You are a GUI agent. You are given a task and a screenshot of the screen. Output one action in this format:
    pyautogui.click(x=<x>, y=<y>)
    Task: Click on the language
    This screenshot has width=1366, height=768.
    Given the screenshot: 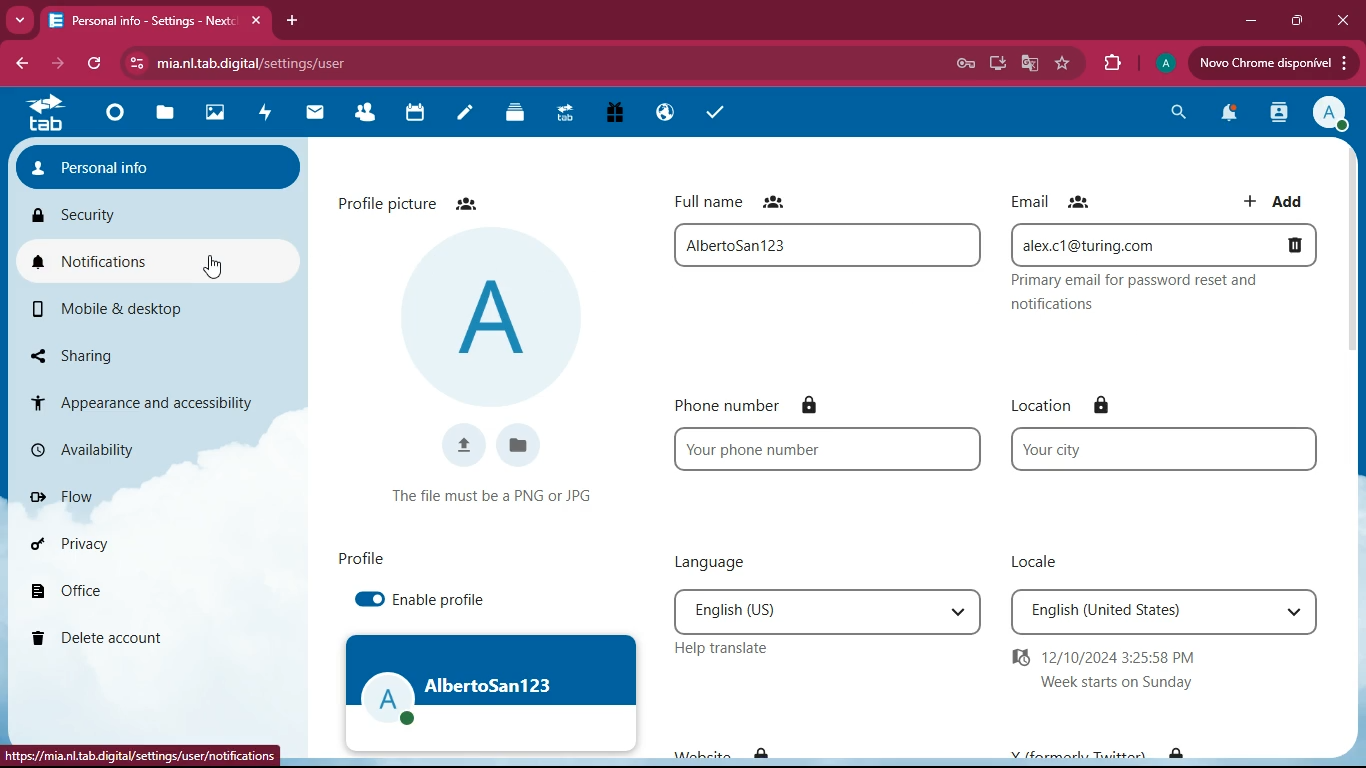 What is the action you would take?
    pyautogui.click(x=830, y=609)
    